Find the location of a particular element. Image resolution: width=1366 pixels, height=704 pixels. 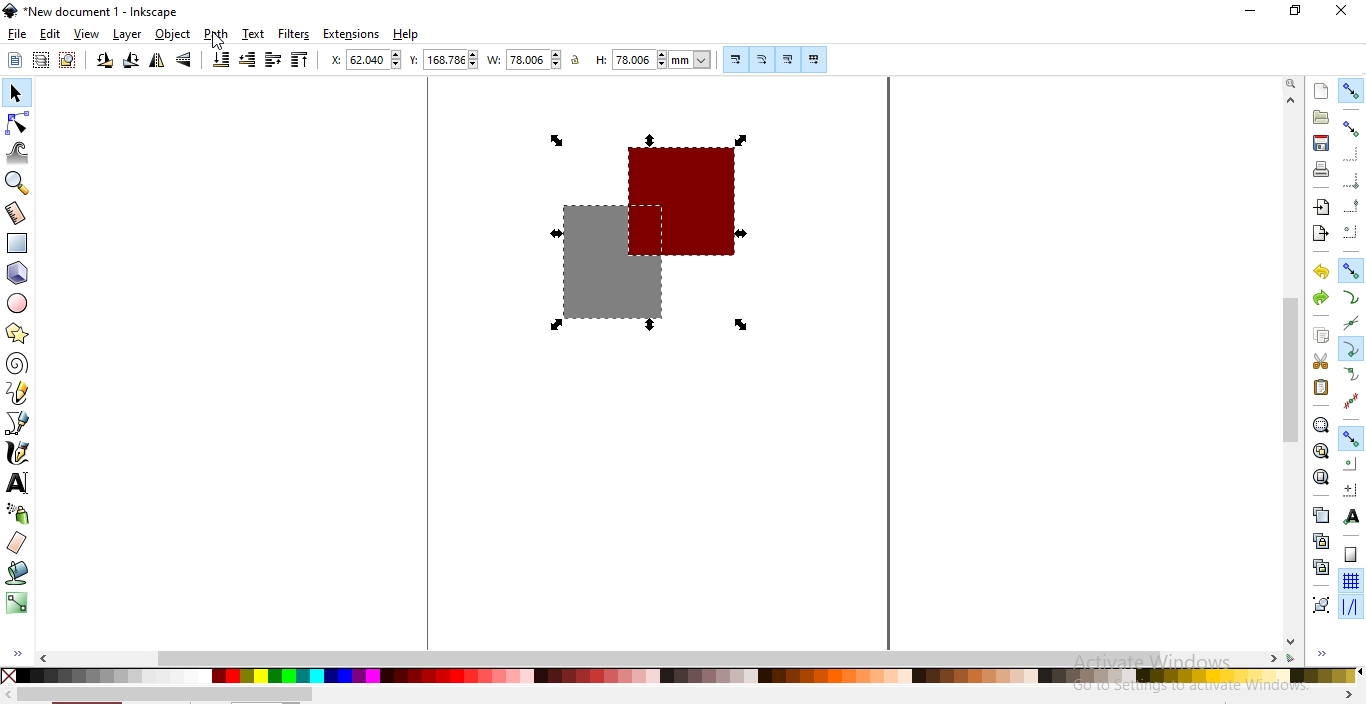

zoom in or out is located at coordinates (15, 183).